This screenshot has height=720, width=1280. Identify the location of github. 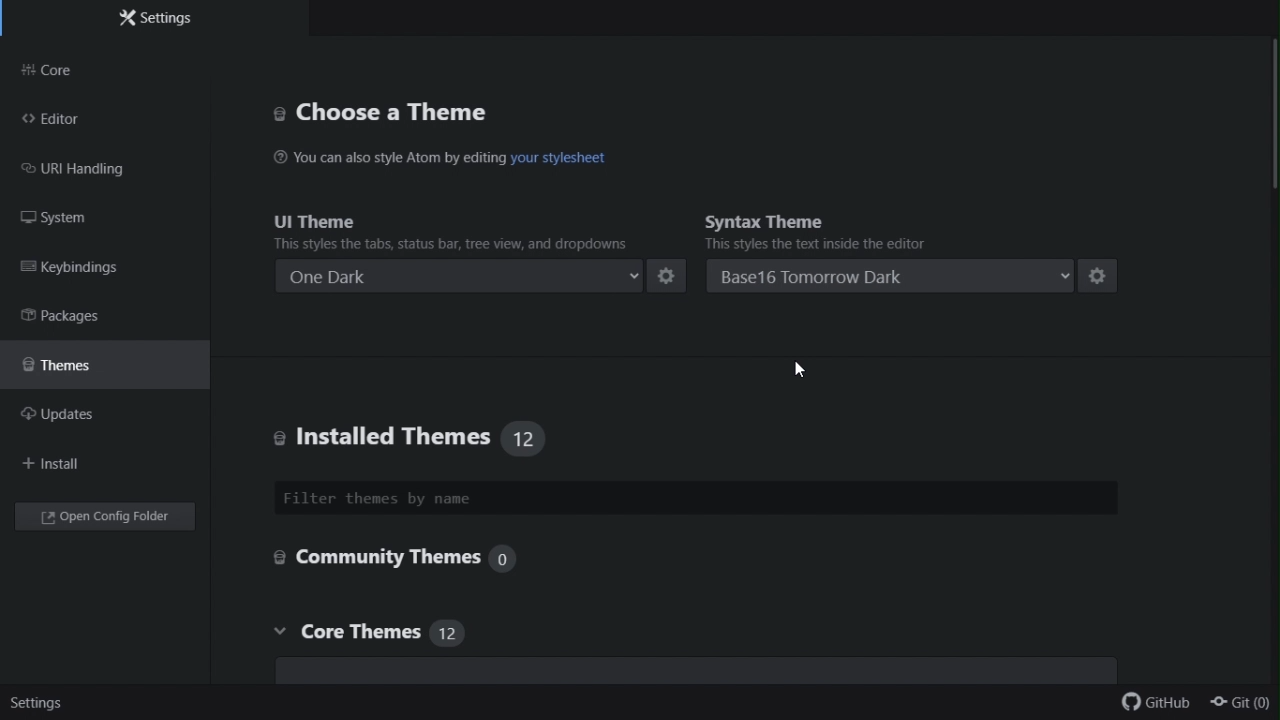
(1163, 706).